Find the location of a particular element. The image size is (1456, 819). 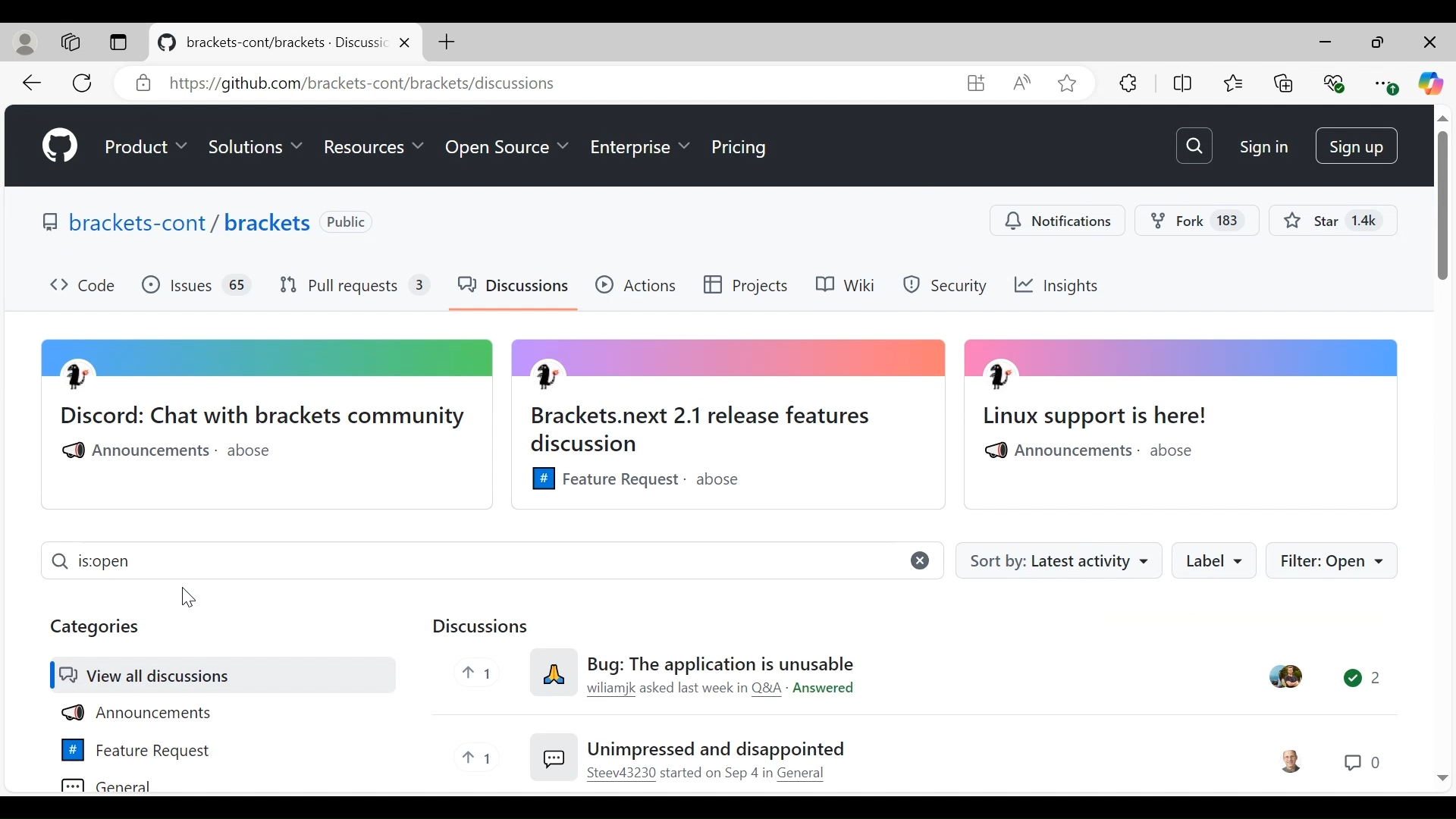

is open is located at coordinates (465, 560).